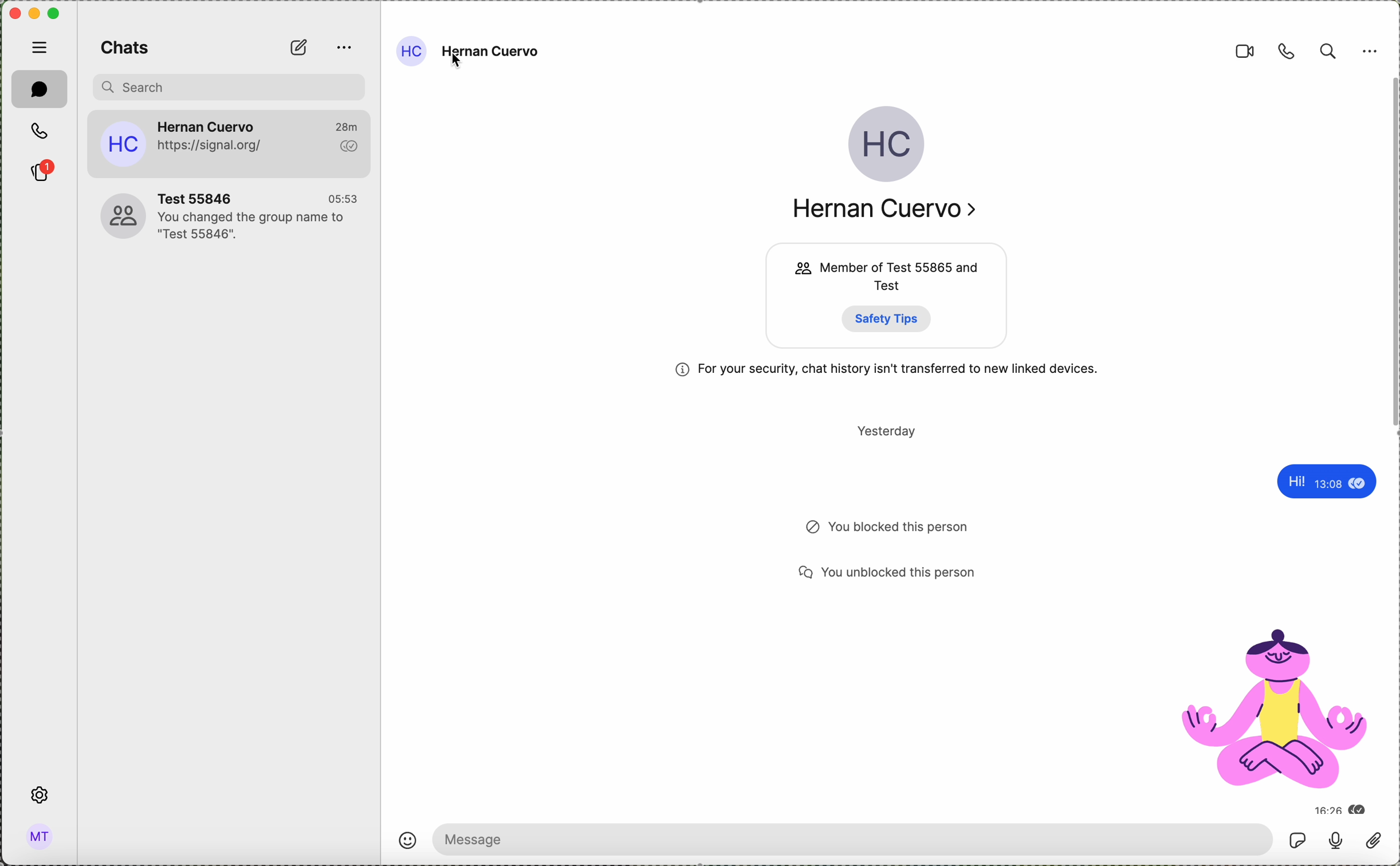 Image resolution: width=1400 pixels, height=866 pixels. I want to click on call, so click(42, 132).